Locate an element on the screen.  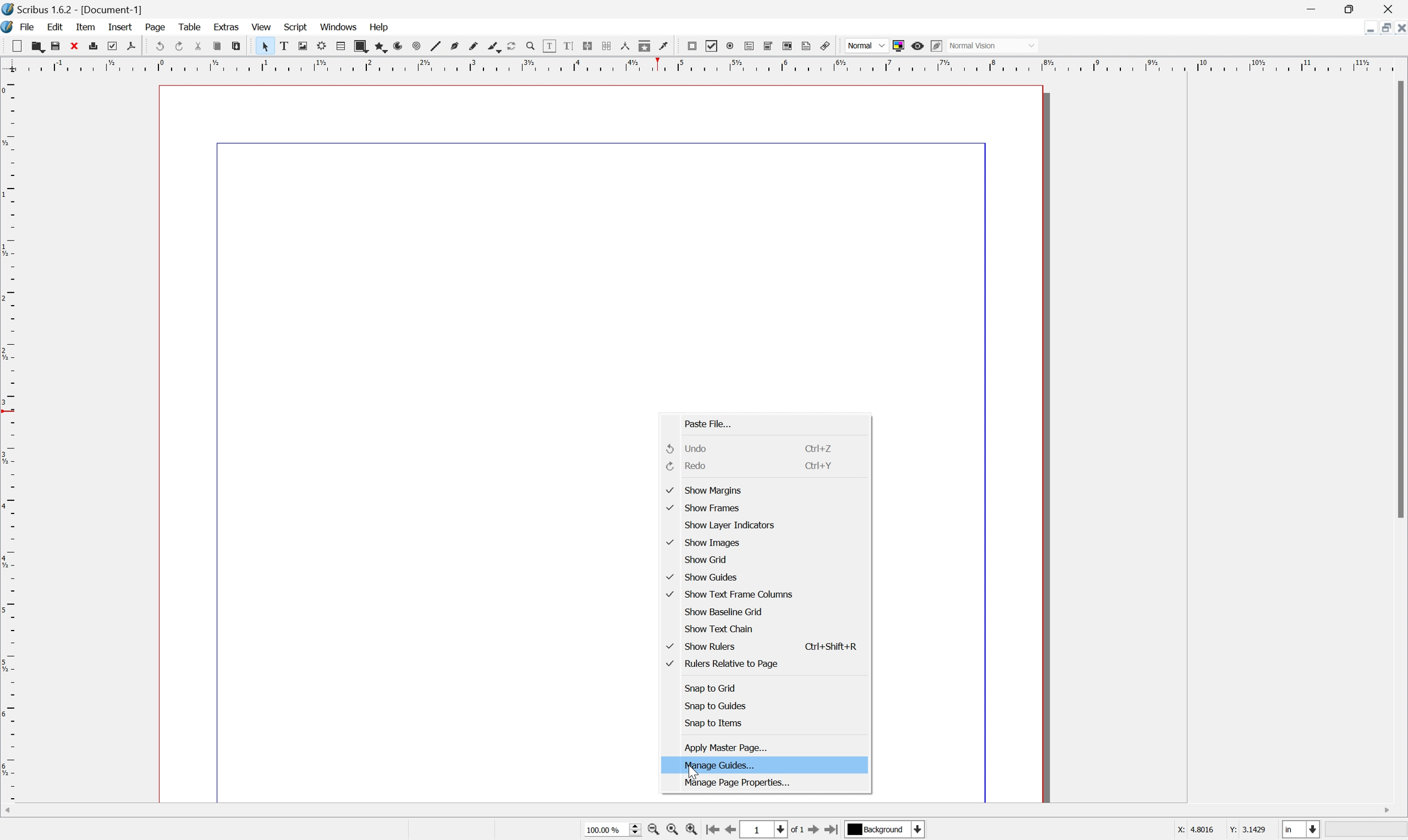
unlink text frames is located at coordinates (606, 45).